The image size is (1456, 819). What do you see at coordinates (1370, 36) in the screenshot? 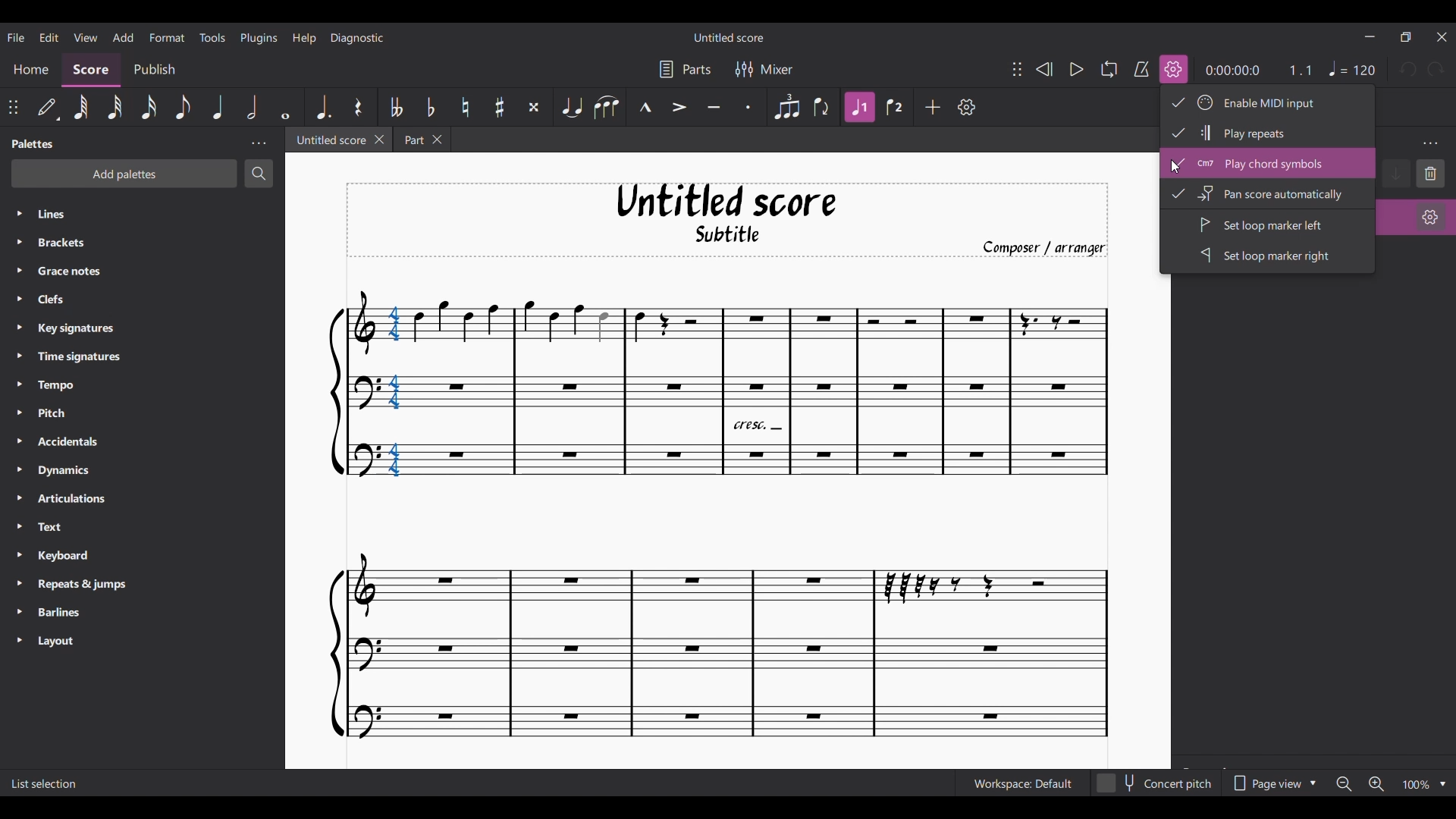
I see `Minimize` at bounding box center [1370, 36].